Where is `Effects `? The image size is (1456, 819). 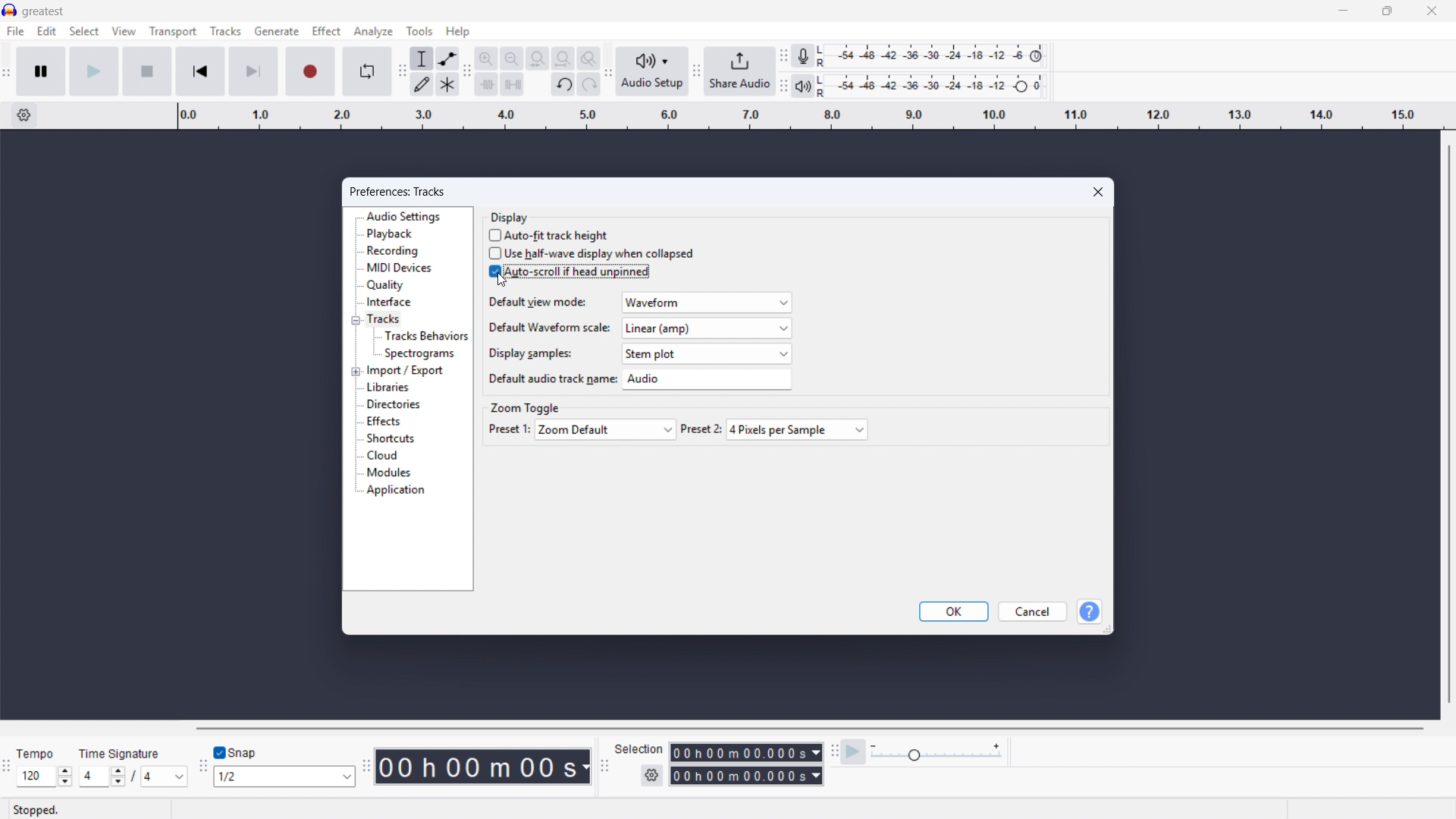
Effects  is located at coordinates (383, 422).